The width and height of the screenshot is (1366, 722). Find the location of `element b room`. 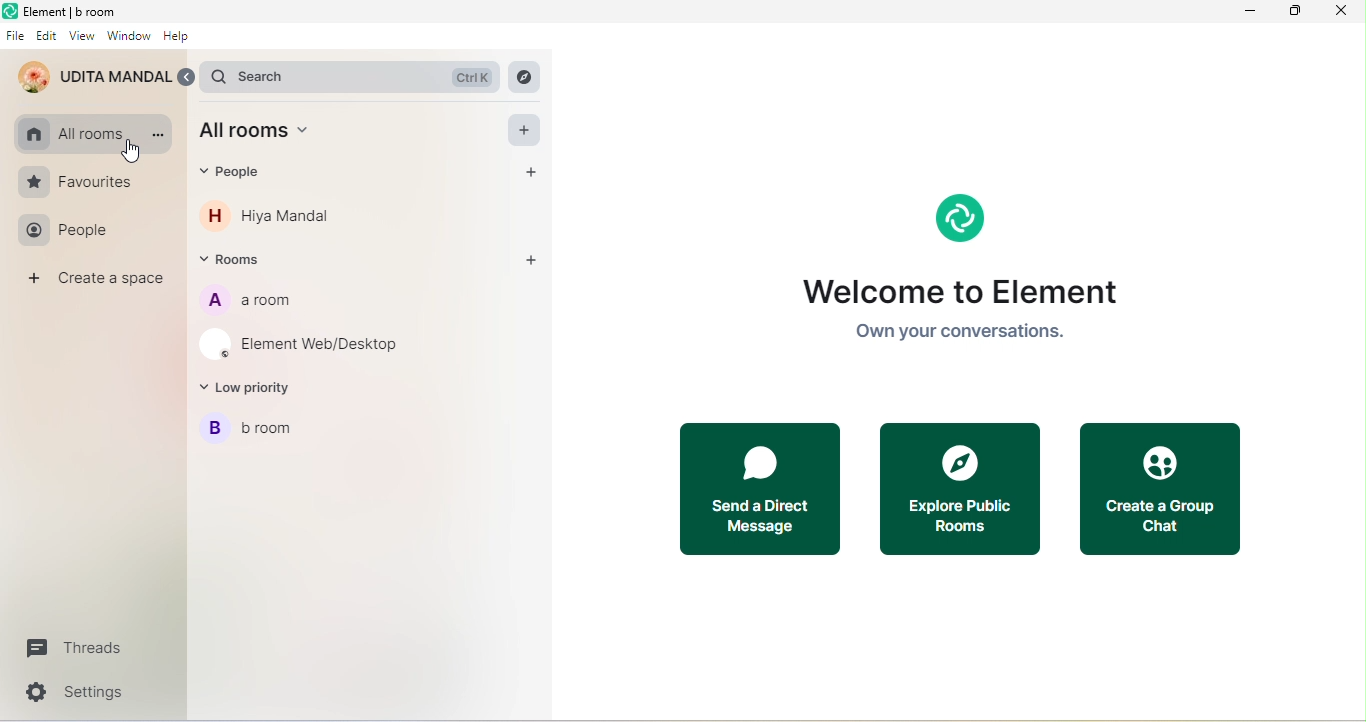

element b room is located at coordinates (76, 11).